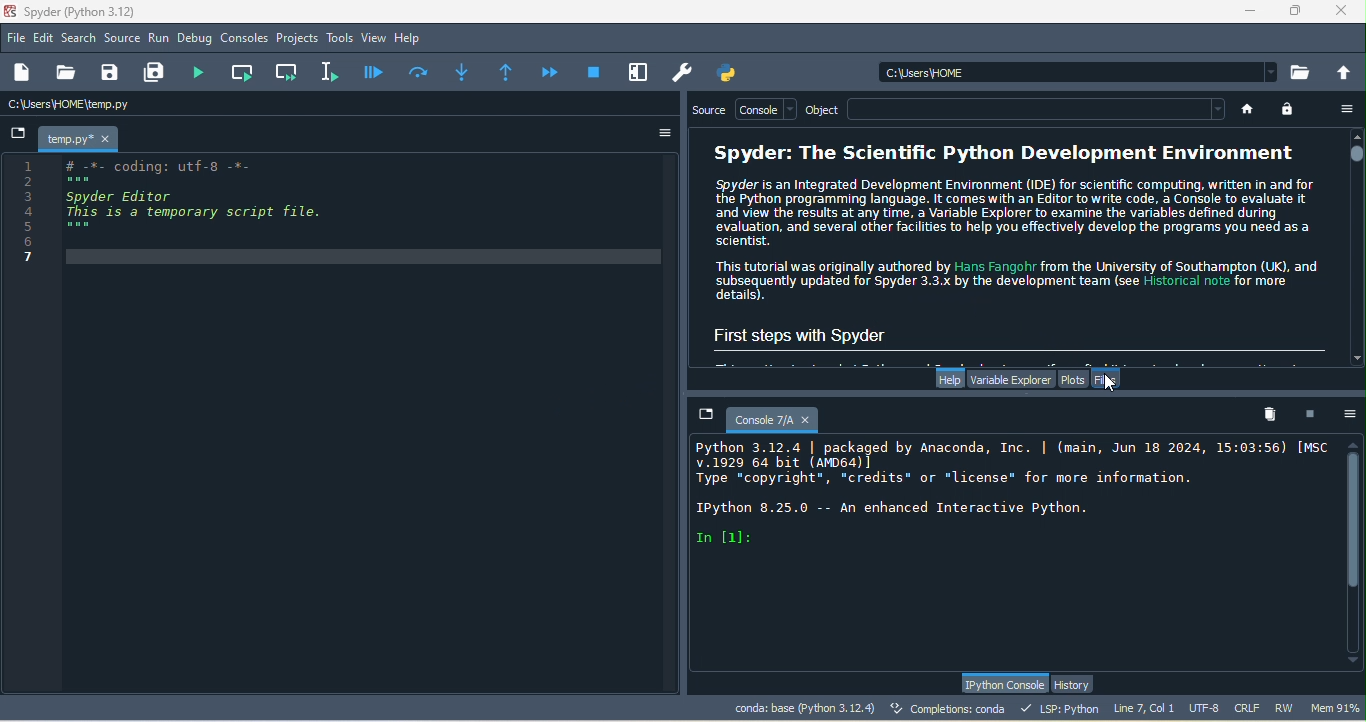 The image size is (1366, 722). I want to click on interrupt kenel, so click(1314, 413).